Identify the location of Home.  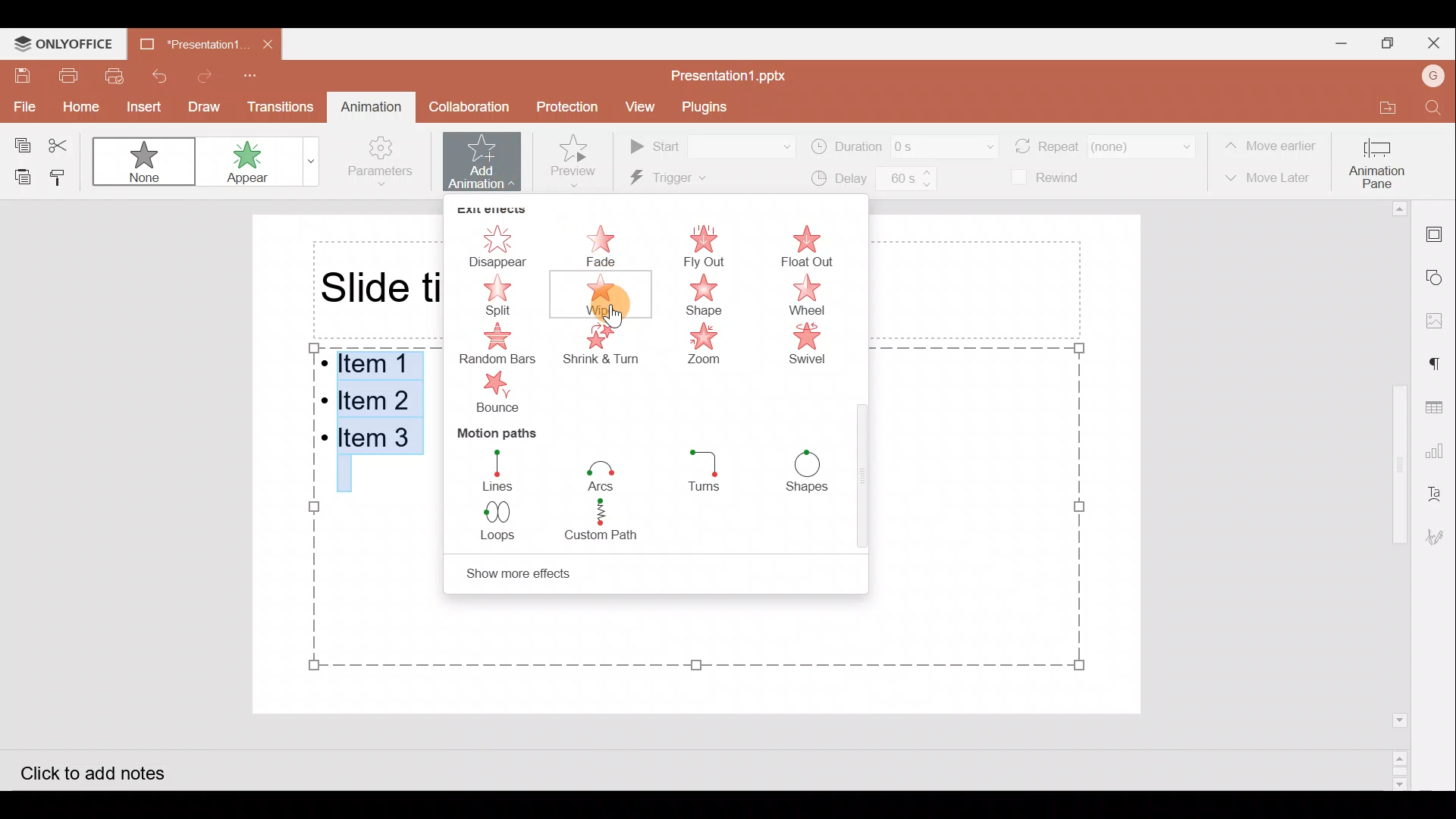
(73, 104).